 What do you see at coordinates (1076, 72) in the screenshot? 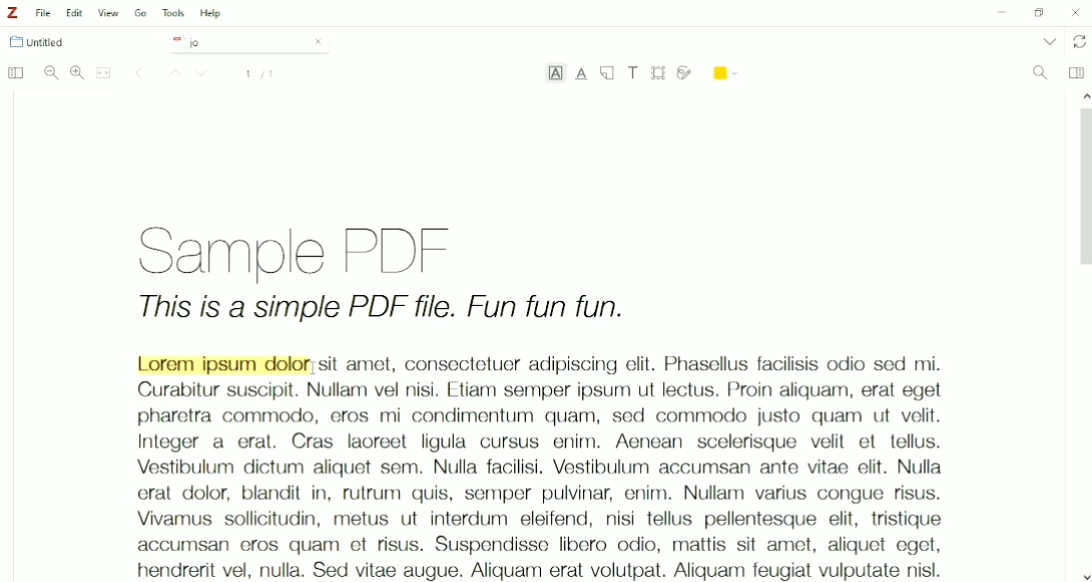
I see `Toggle Context Pane` at bounding box center [1076, 72].